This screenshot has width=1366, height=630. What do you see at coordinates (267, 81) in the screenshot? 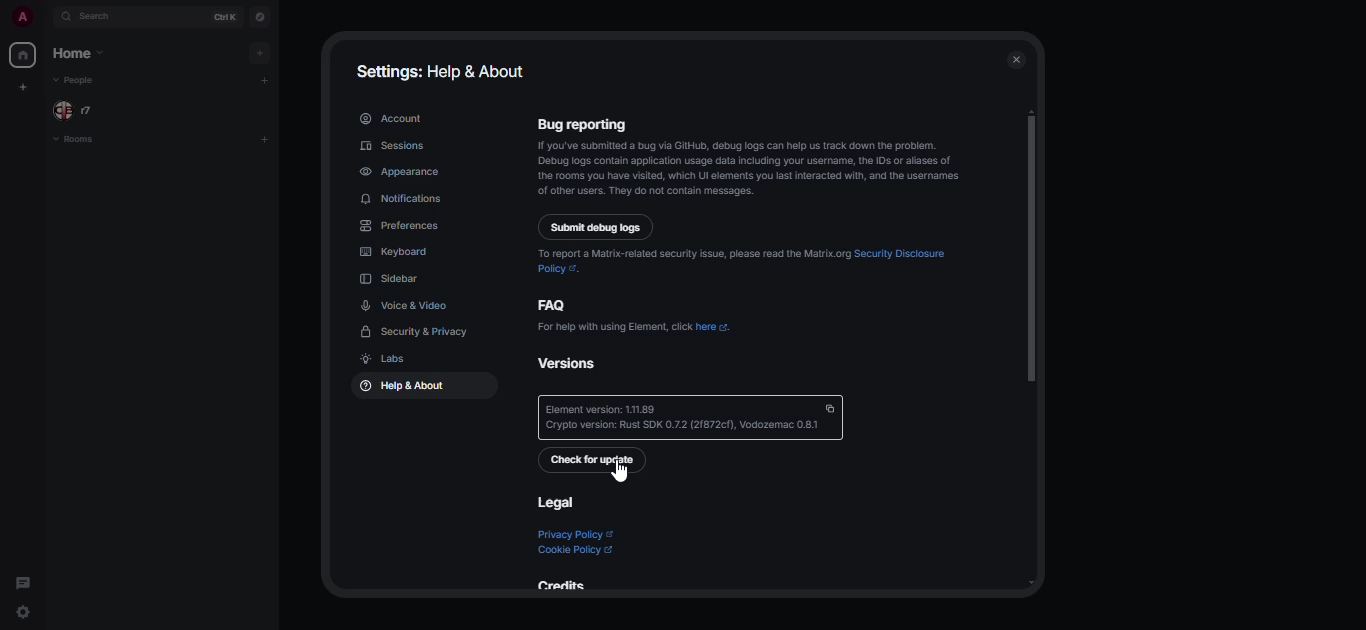
I see `add` at bounding box center [267, 81].